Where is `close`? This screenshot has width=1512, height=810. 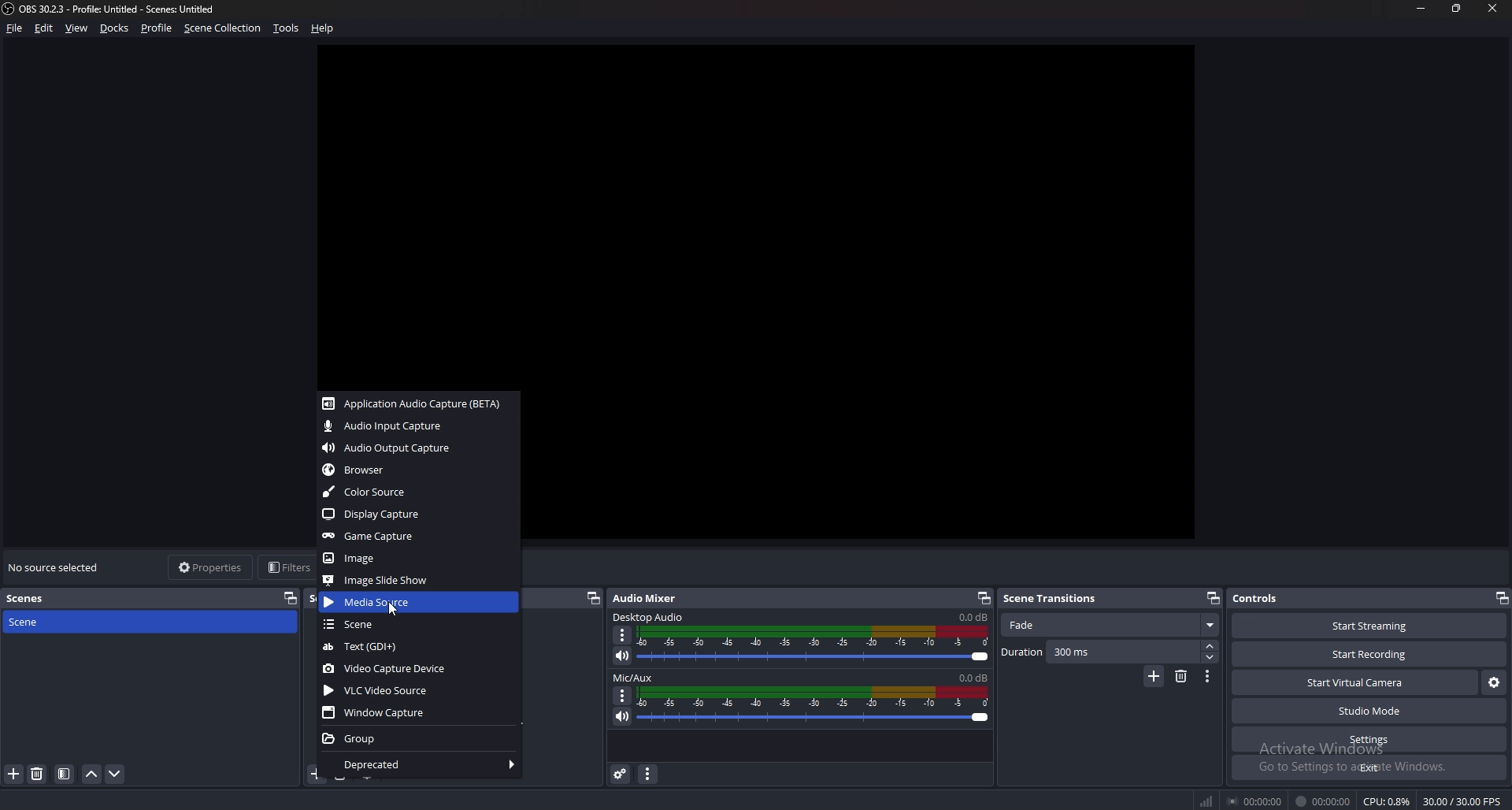
close is located at coordinates (1494, 8).